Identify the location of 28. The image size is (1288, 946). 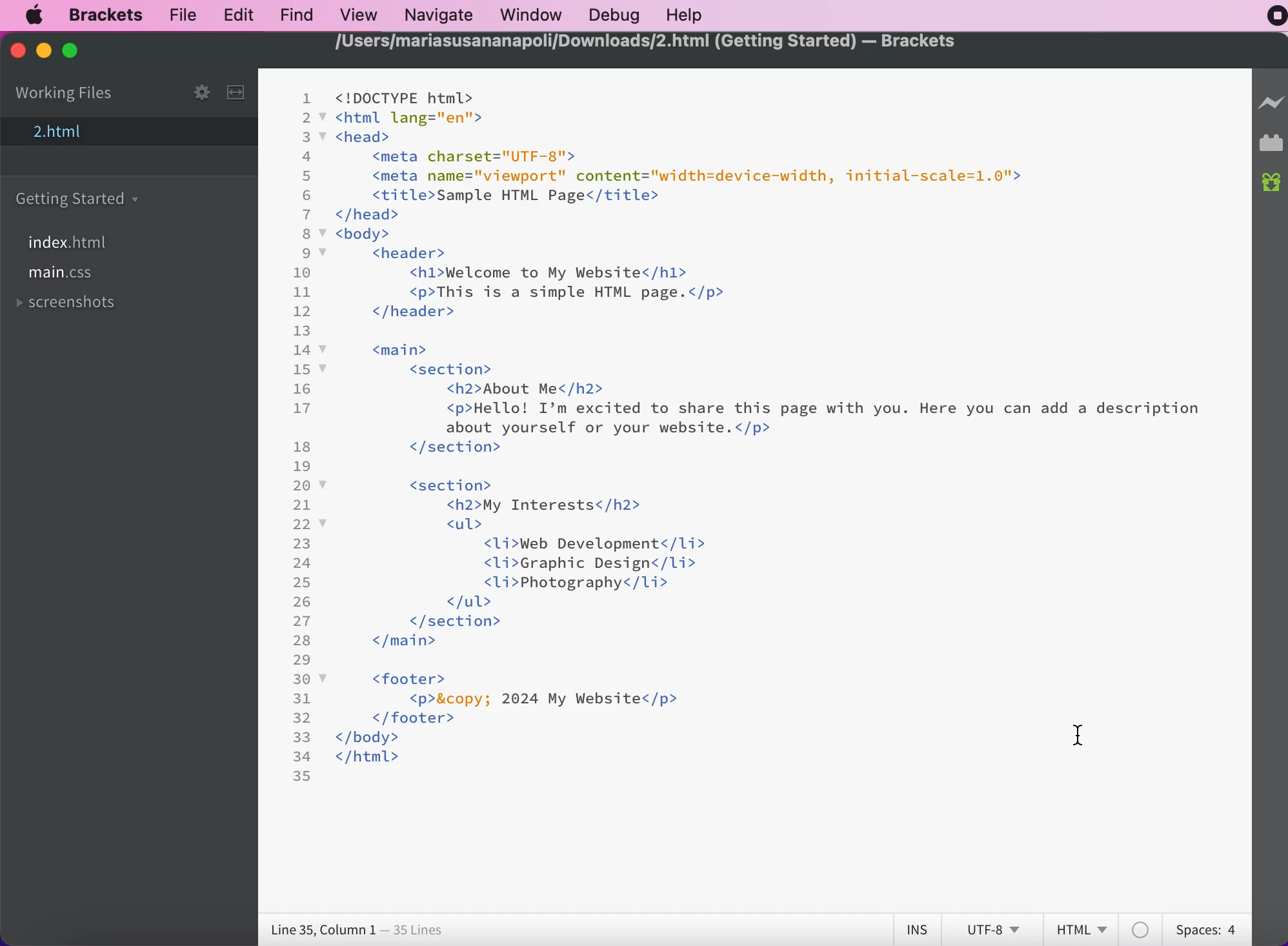
(302, 640).